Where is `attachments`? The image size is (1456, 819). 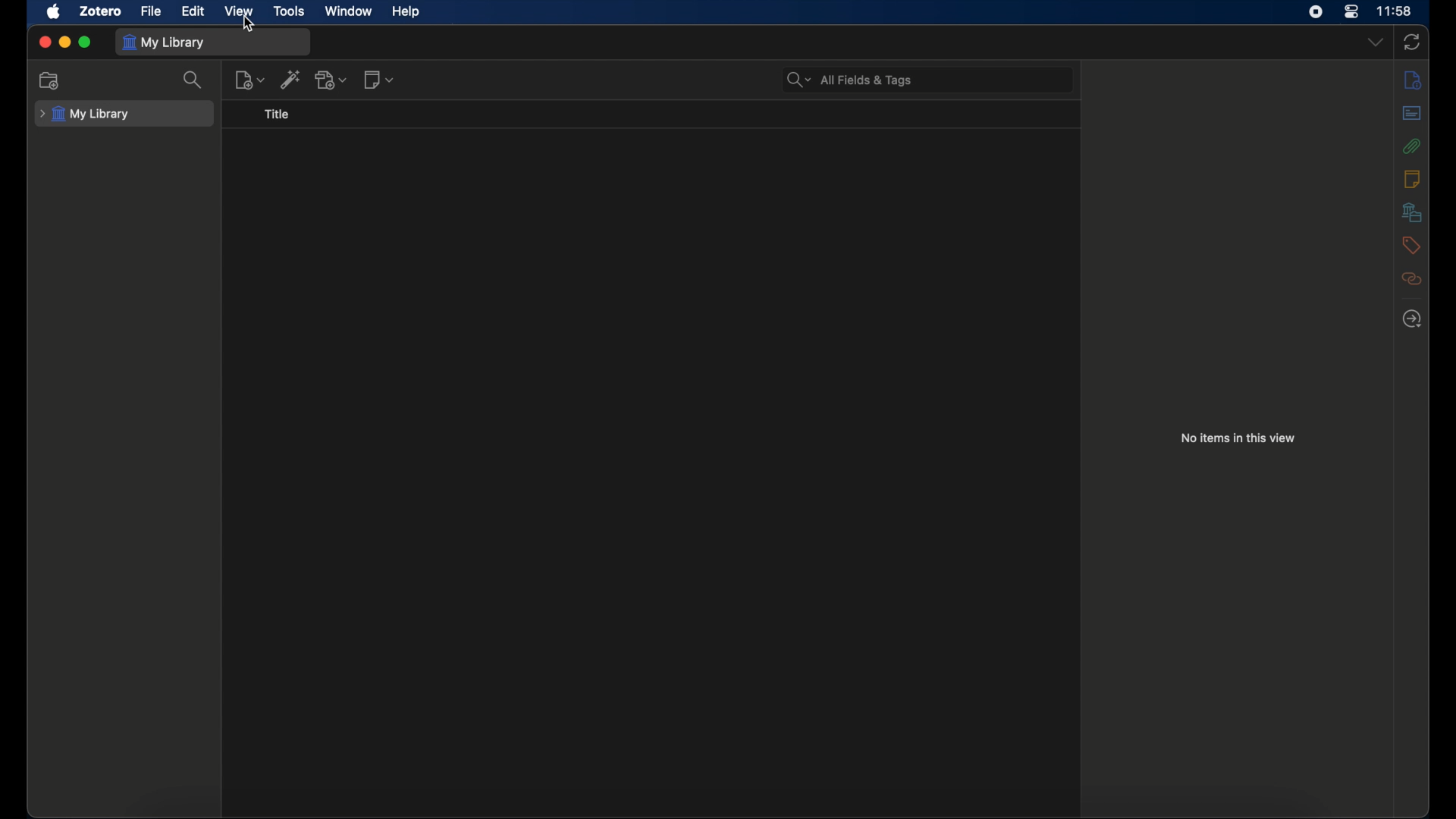 attachments is located at coordinates (1411, 146).